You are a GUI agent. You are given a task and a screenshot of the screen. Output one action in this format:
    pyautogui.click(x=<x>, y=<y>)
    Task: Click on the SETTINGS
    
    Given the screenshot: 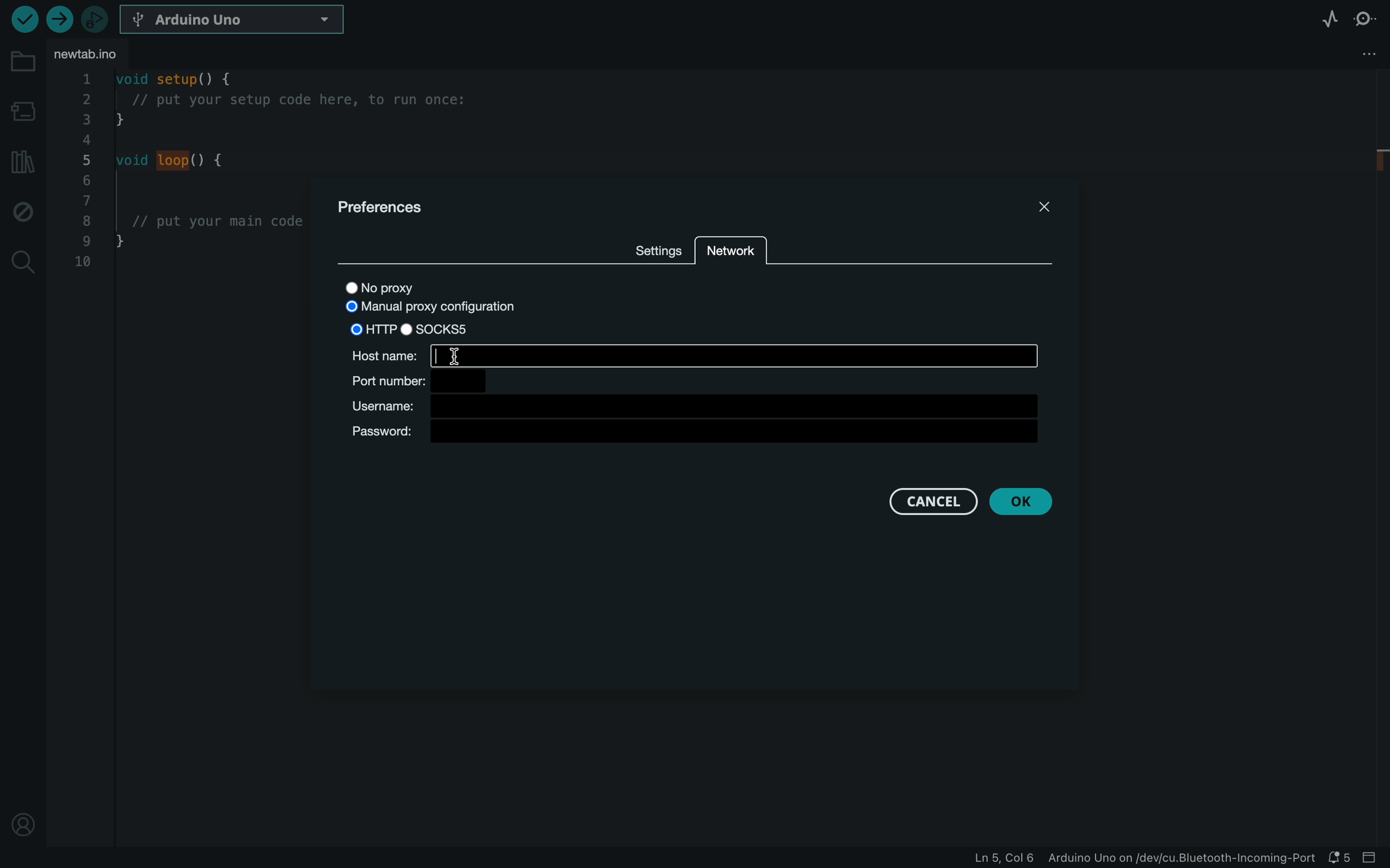 What is the action you would take?
    pyautogui.click(x=656, y=249)
    